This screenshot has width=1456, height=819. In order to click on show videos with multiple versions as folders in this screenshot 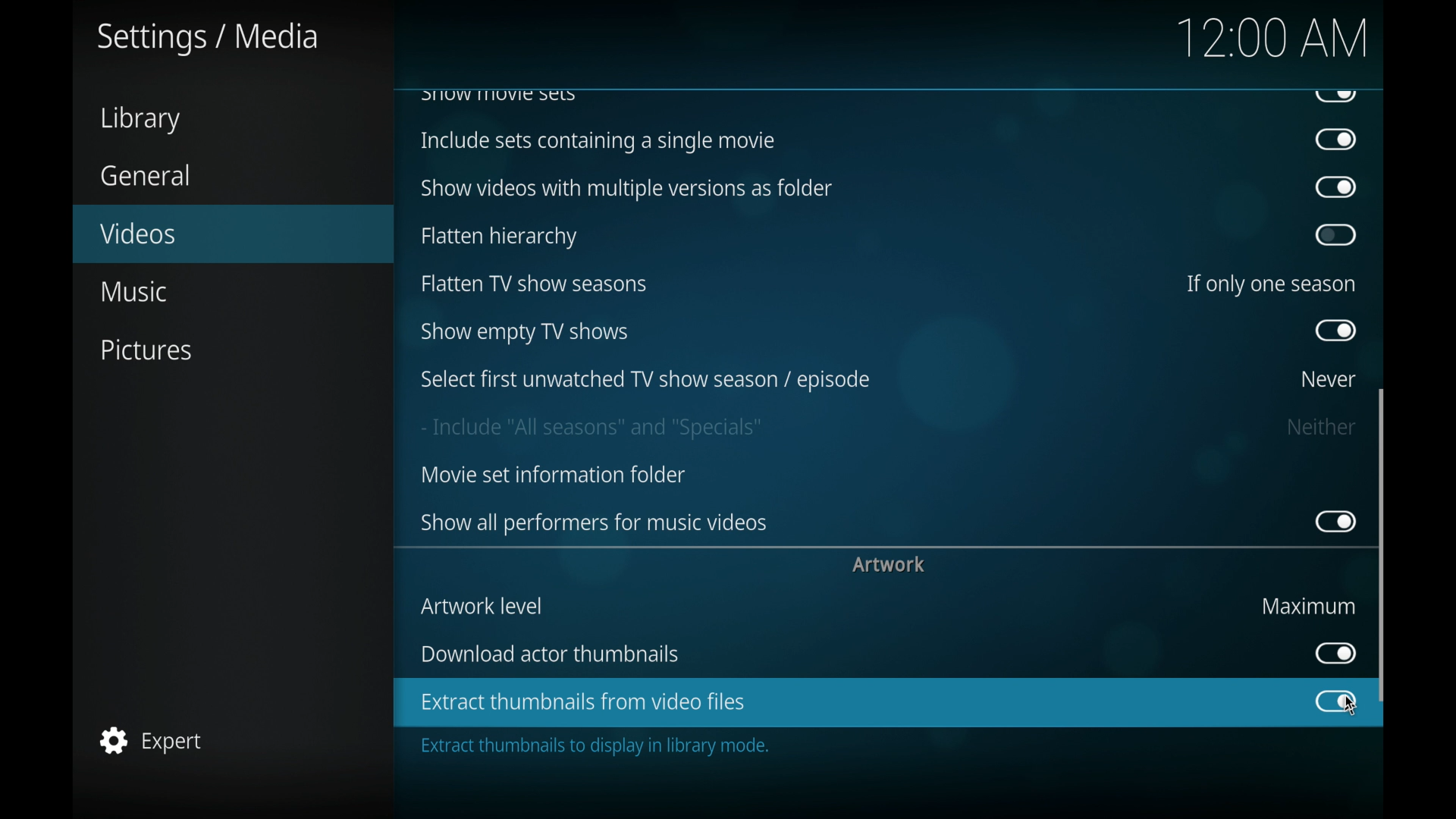, I will do `click(627, 190)`.